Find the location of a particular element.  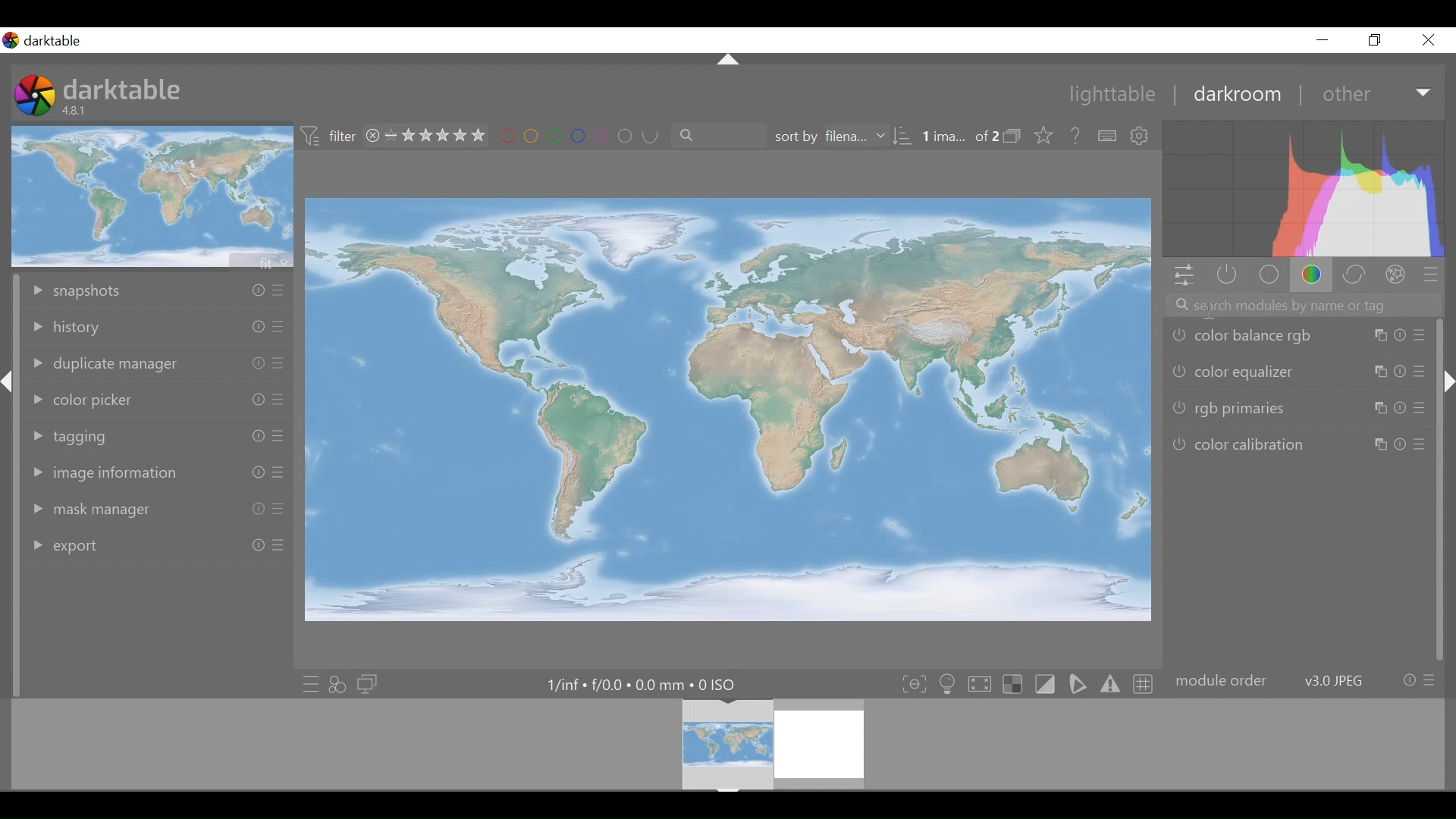

hide is located at coordinates (1443, 380).